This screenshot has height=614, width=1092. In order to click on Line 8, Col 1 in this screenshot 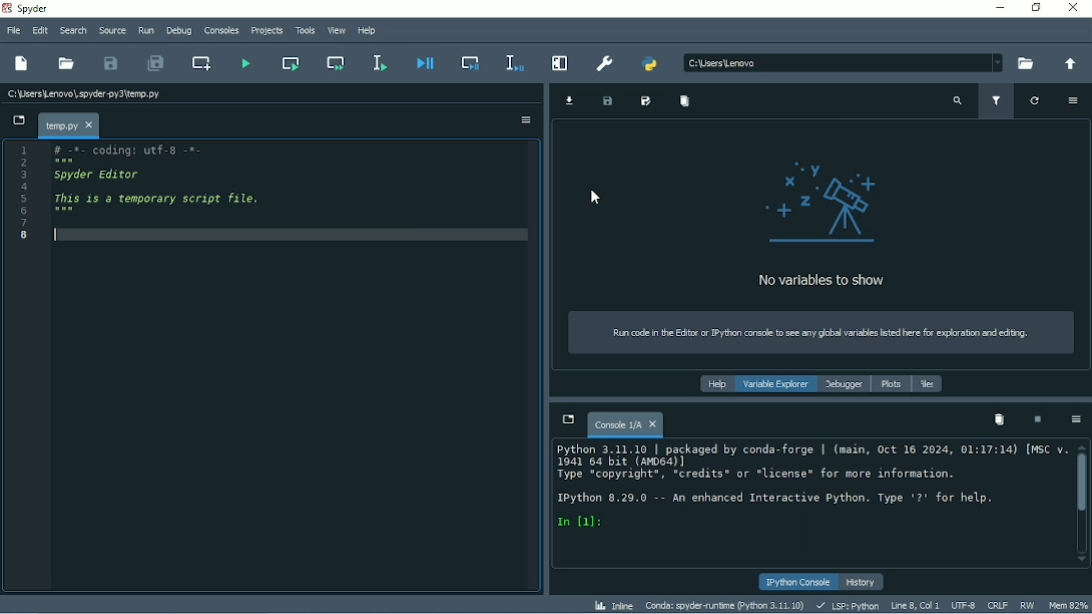, I will do `click(912, 606)`.